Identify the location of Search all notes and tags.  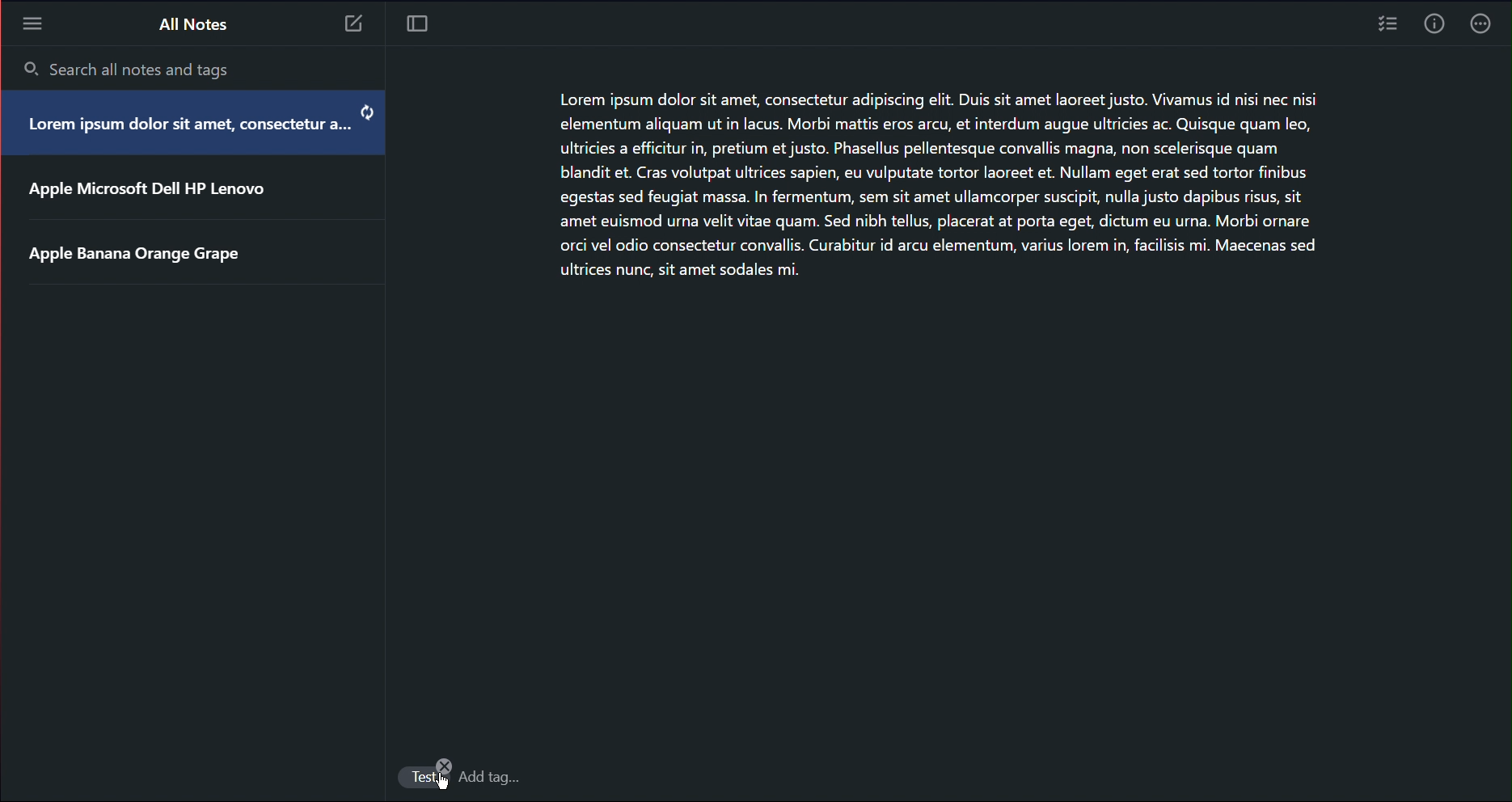
(130, 70).